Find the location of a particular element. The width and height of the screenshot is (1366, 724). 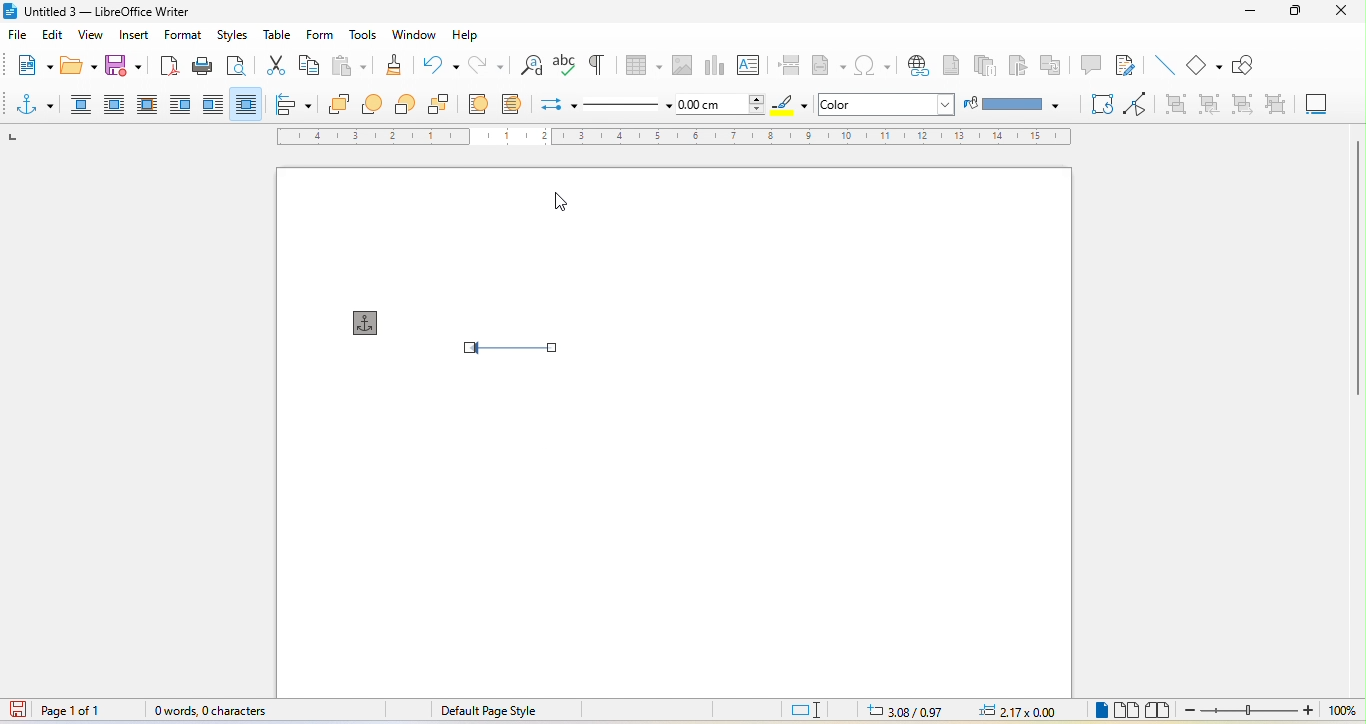

footnote is located at coordinates (952, 66).